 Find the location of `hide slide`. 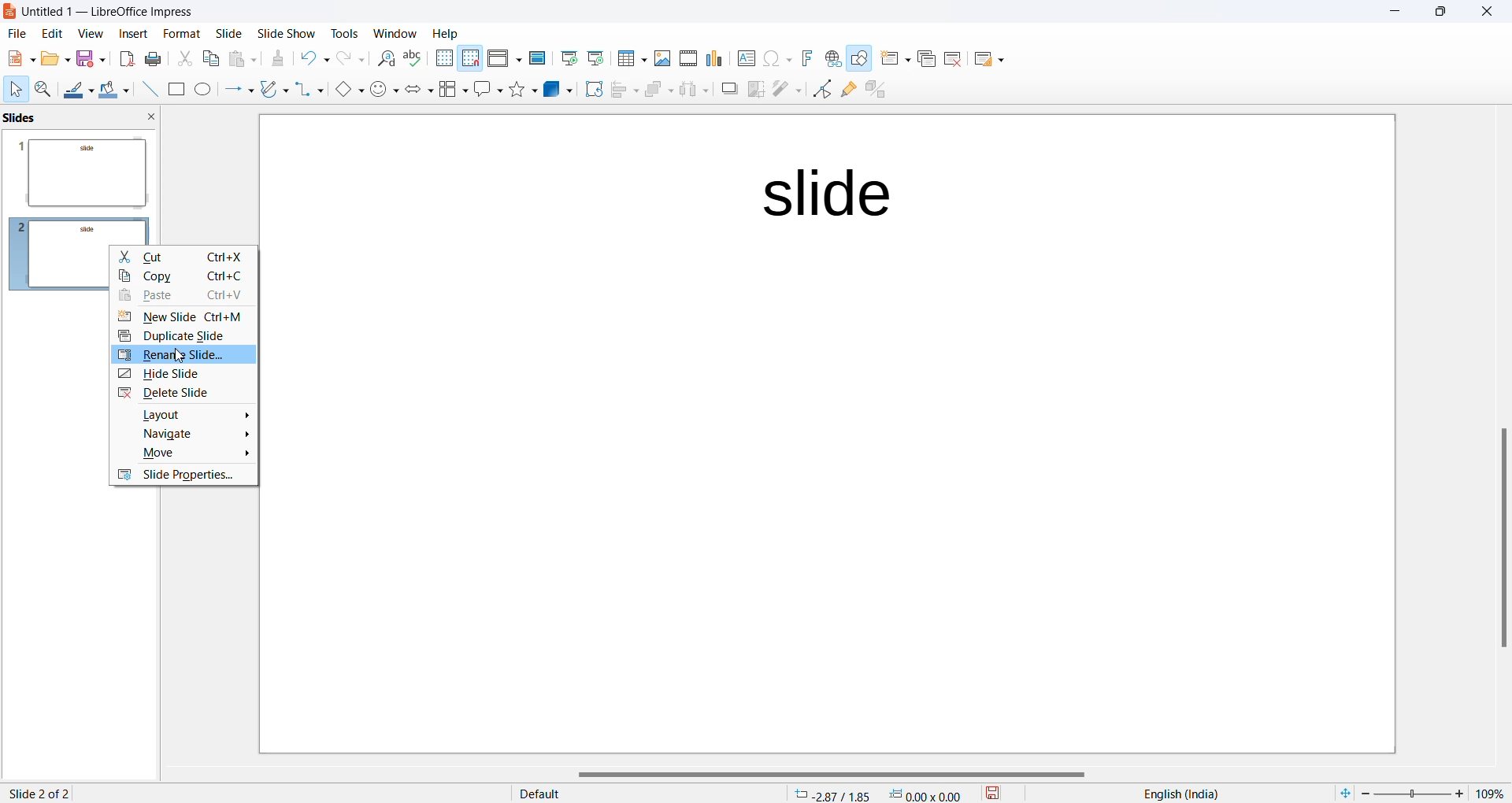

hide slide is located at coordinates (181, 374).